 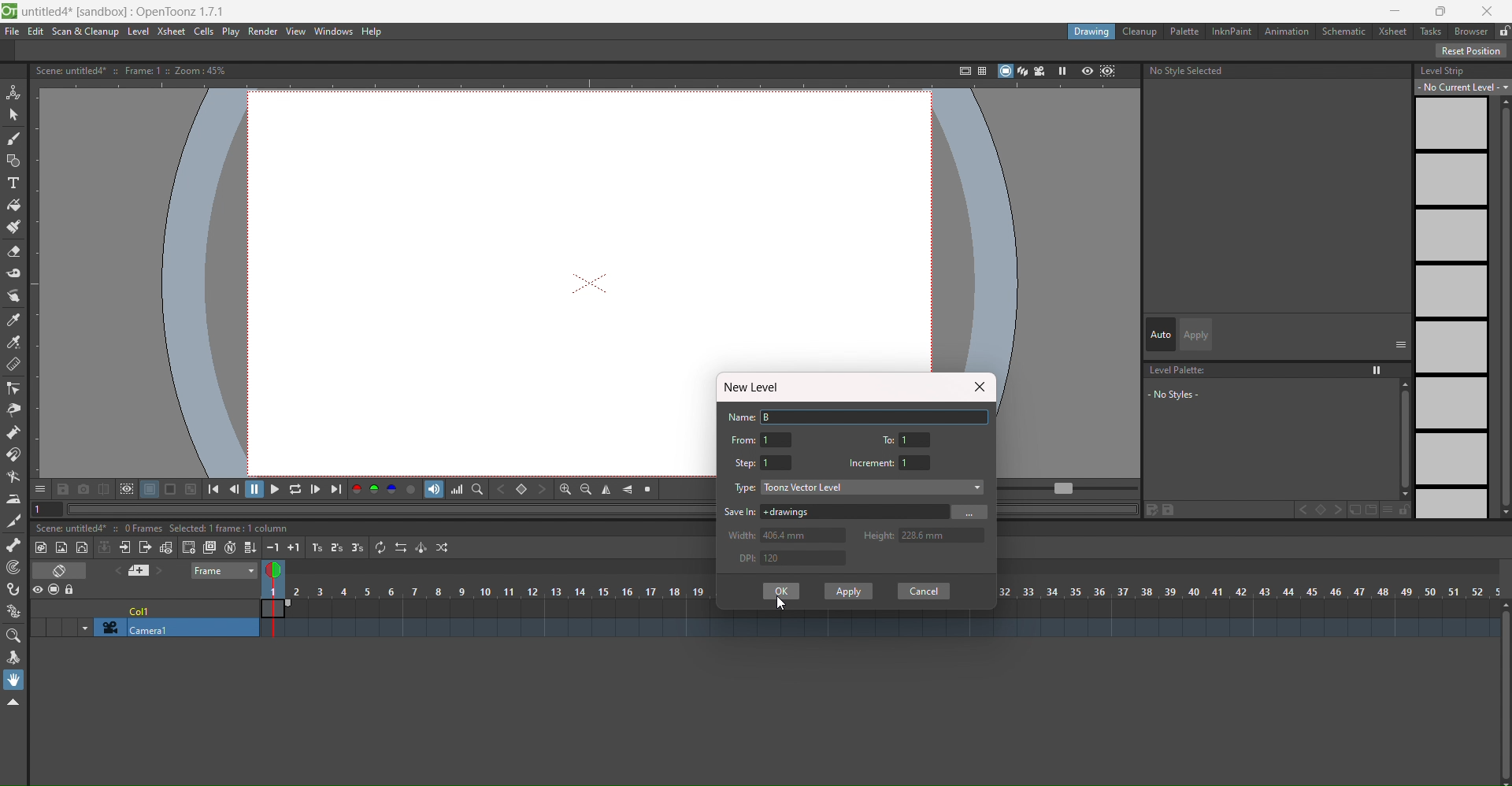 What do you see at coordinates (853, 511) in the screenshot?
I see `+drawings` at bounding box center [853, 511].